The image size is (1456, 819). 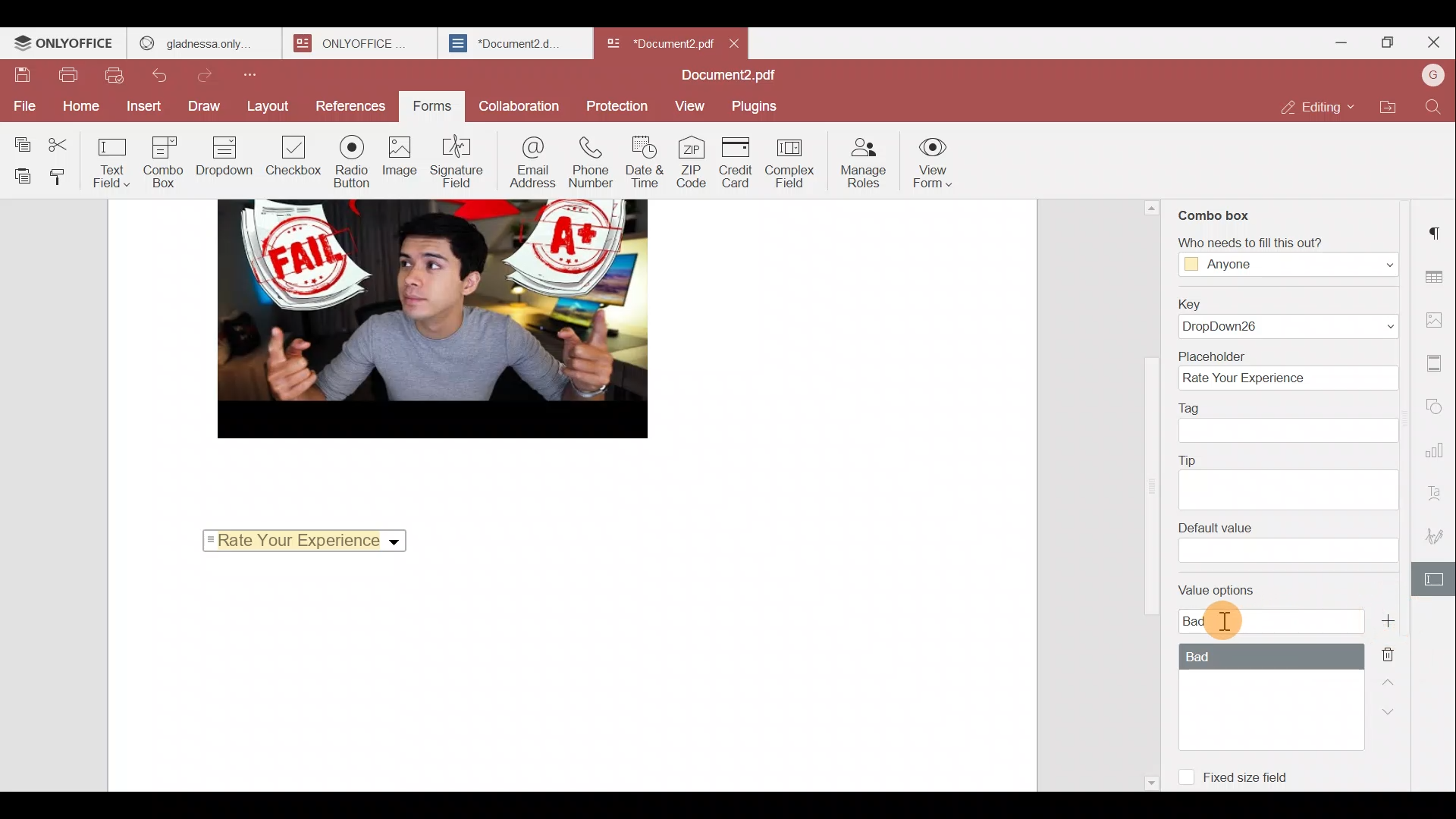 What do you see at coordinates (212, 76) in the screenshot?
I see `Redo` at bounding box center [212, 76].